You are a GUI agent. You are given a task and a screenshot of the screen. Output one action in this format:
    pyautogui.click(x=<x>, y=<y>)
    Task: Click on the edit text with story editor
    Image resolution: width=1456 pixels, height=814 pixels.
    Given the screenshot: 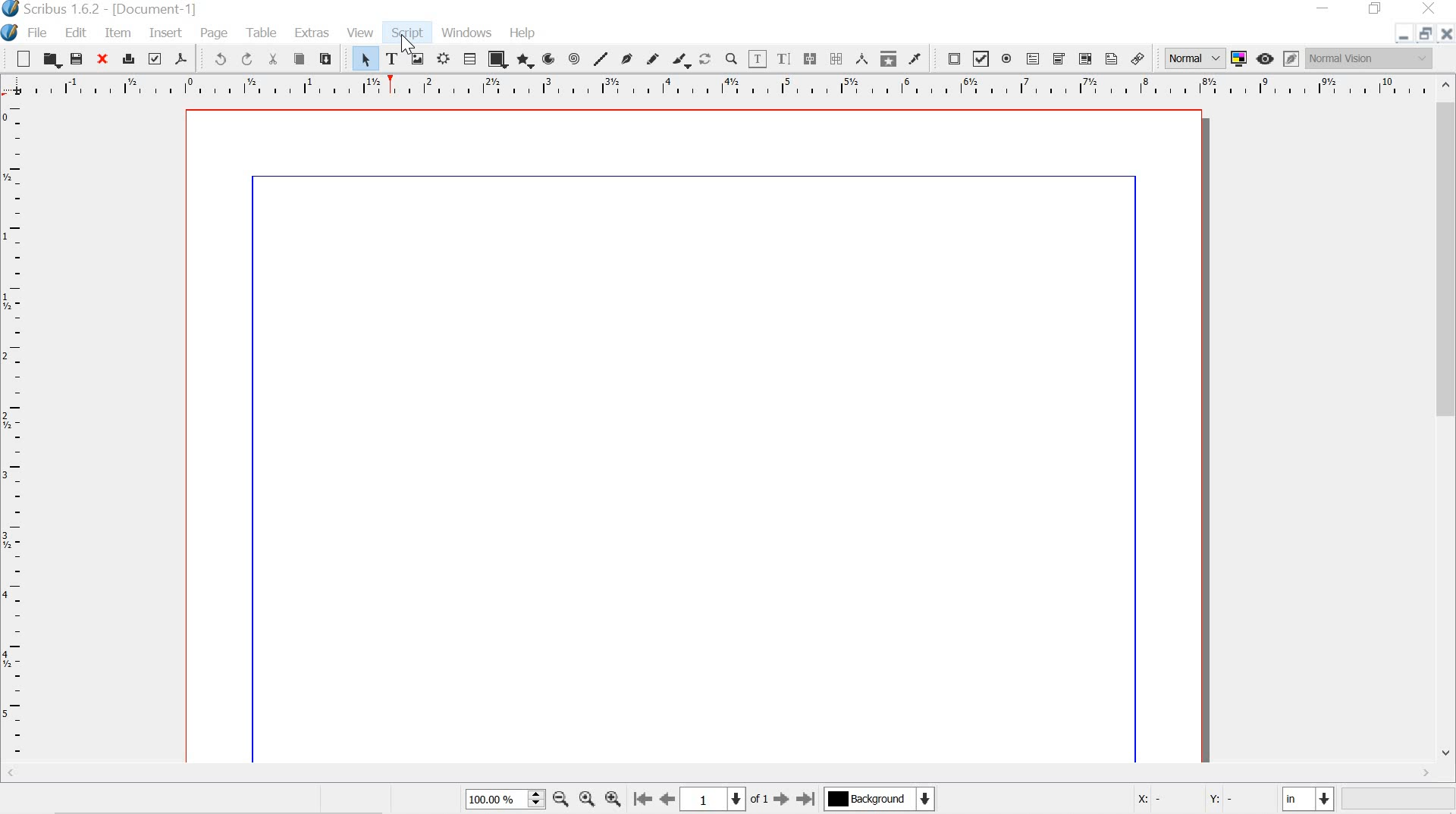 What is the action you would take?
    pyautogui.click(x=783, y=60)
    